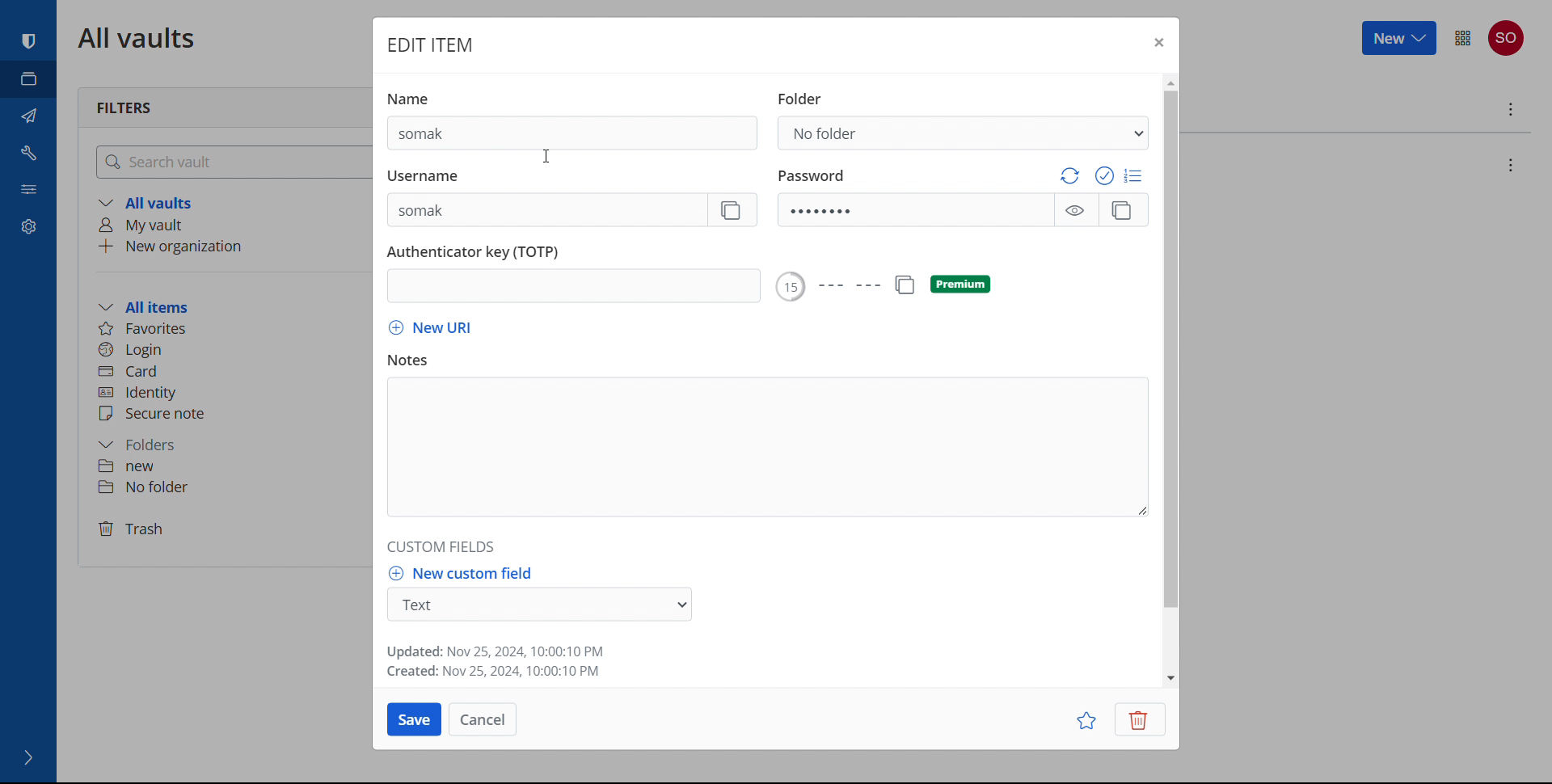 The height and width of the screenshot is (784, 1552). I want to click on toggle visibility, so click(1074, 211).